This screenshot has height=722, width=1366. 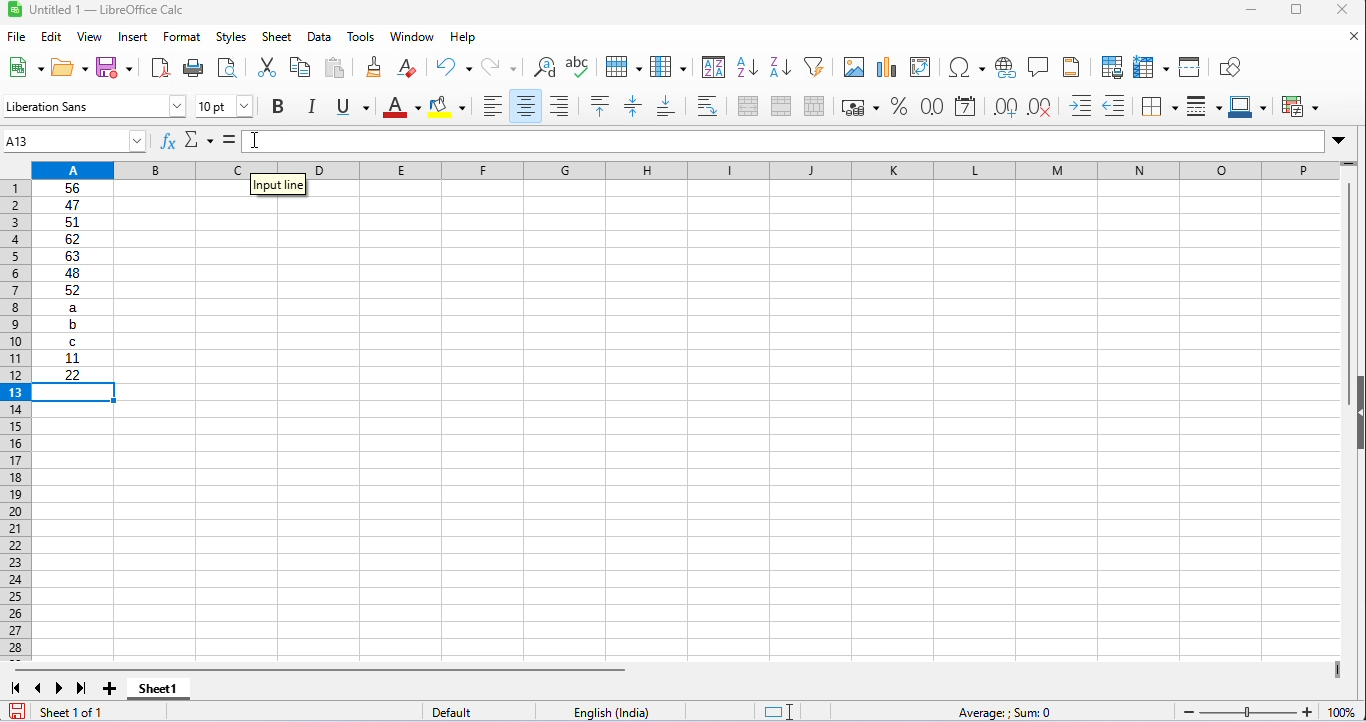 I want to click on last sheet, so click(x=82, y=688).